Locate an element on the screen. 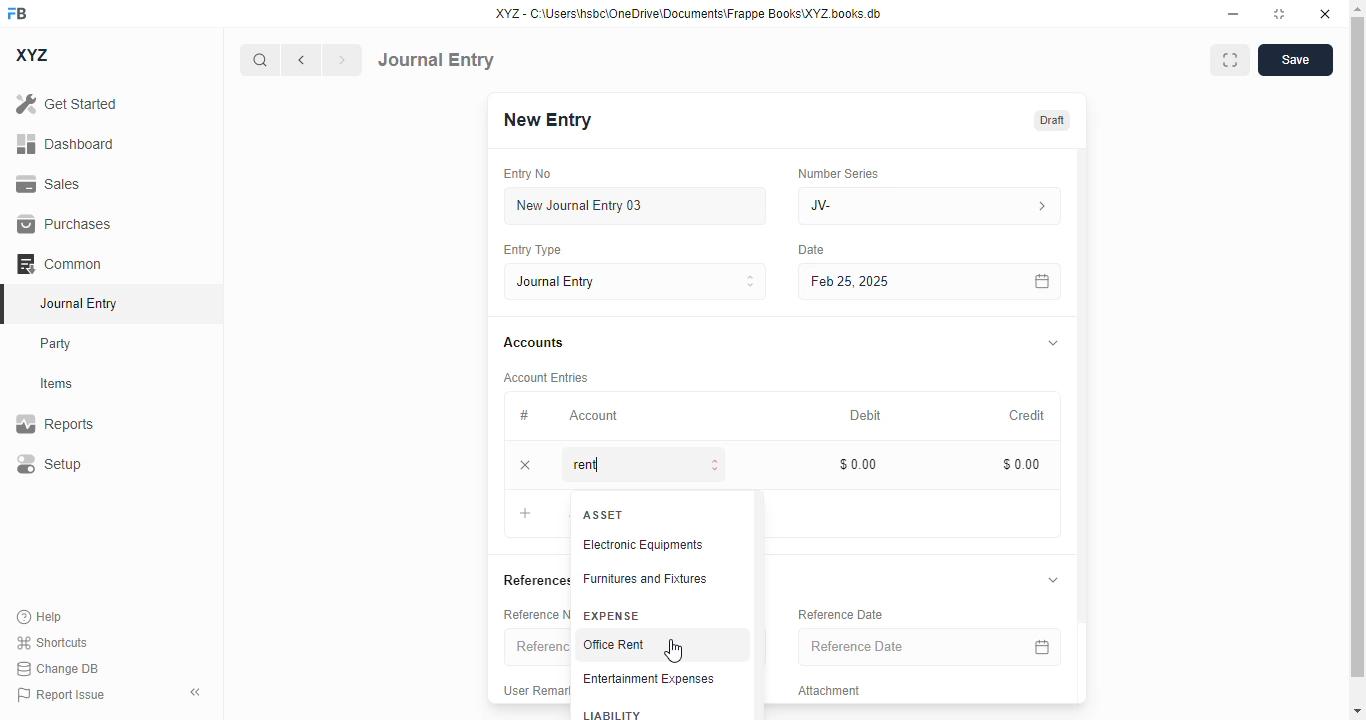 The width and height of the screenshot is (1366, 720). JV- is located at coordinates (882, 207).